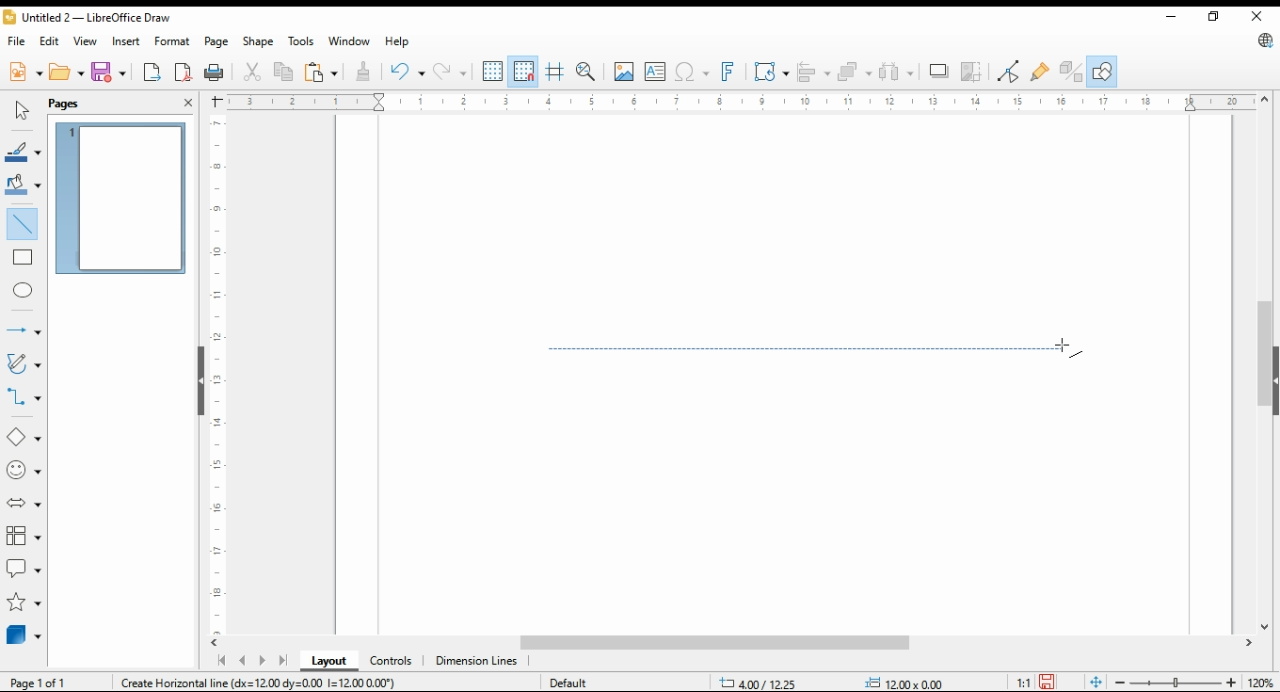 The width and height of the screenshot is (1280, 692). Describe the element at coordinates (22, 256) in the screenshot. I see `rectangle` at that location.